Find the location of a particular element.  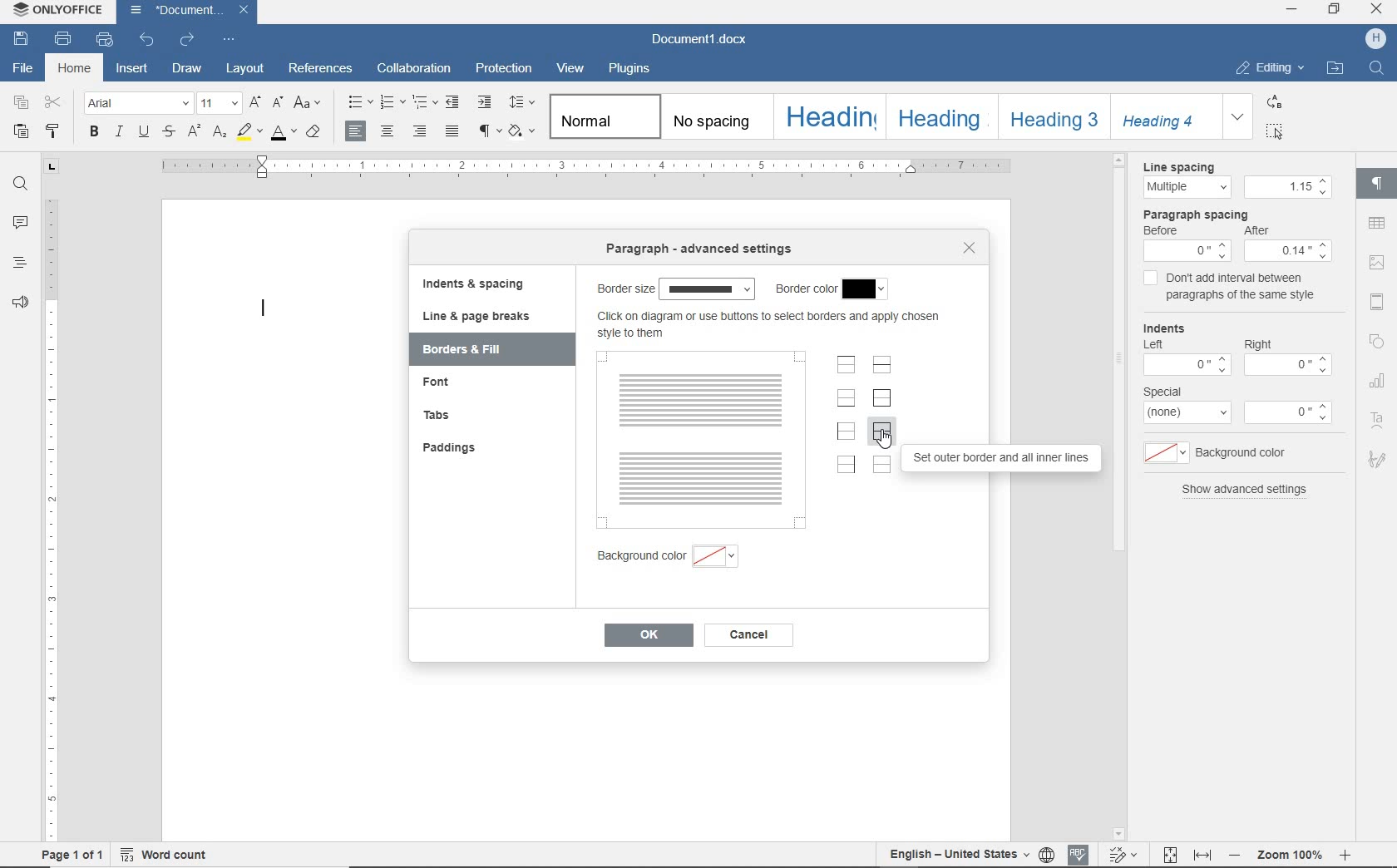

font is located at coordinates (136, 103).